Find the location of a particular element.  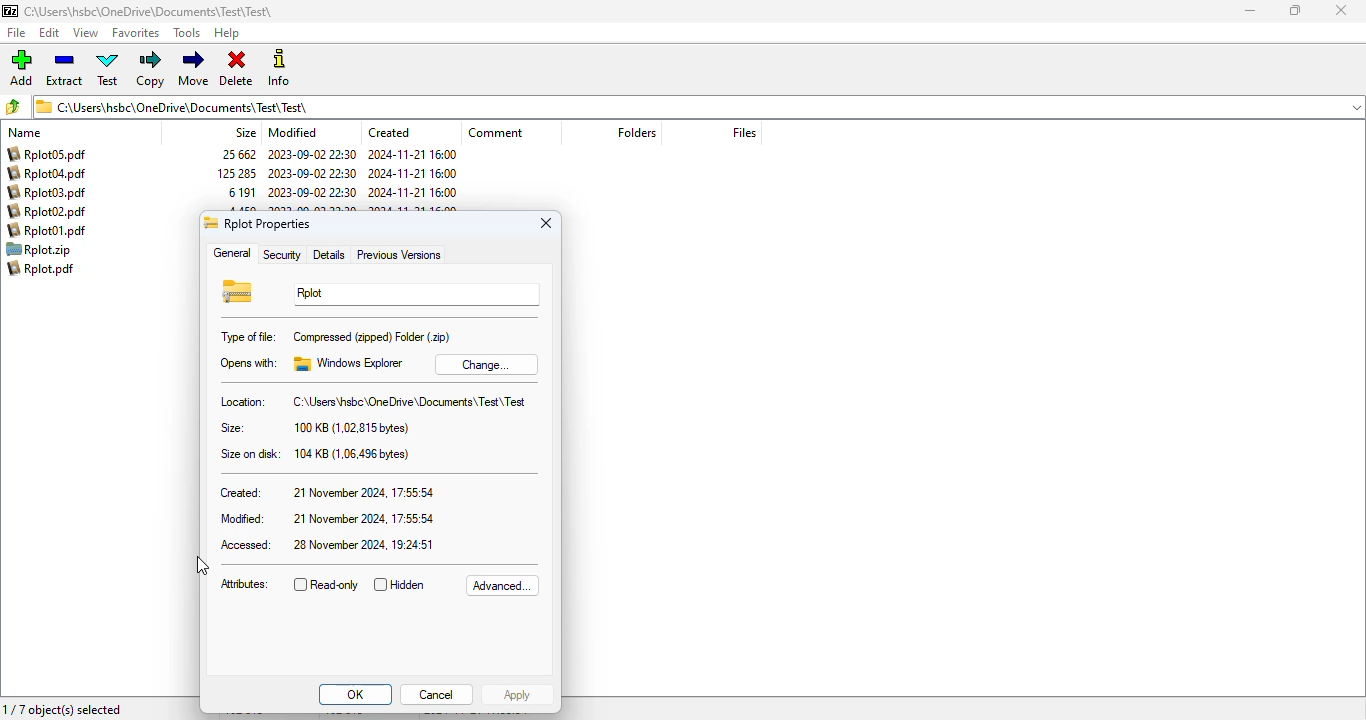

Rplot01.pdf is located at coordinates (45, 230).